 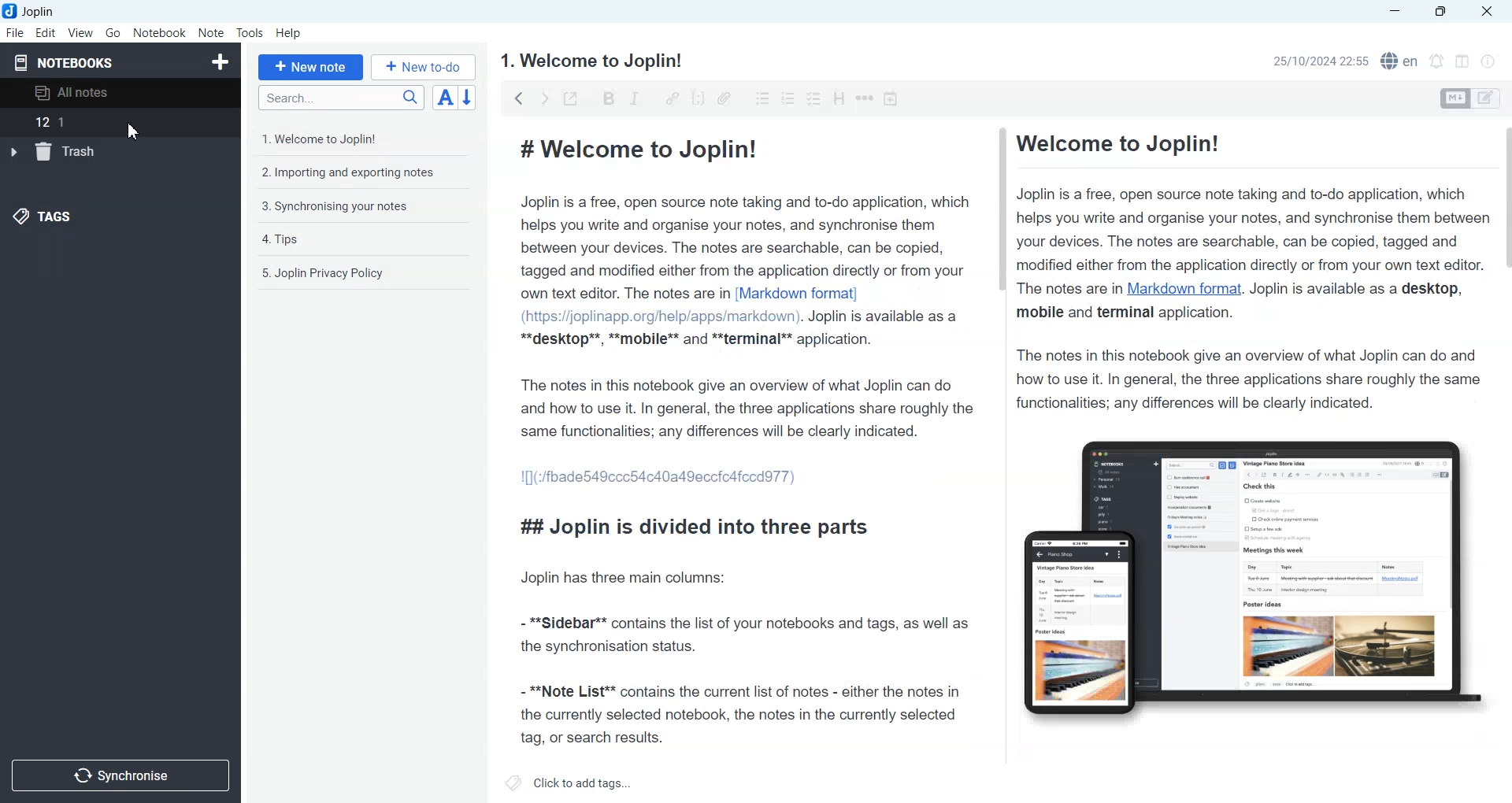 What do you see at coordinates (14, 32) in the screenshot?
I see `File ` at bounding box center [14, 32].